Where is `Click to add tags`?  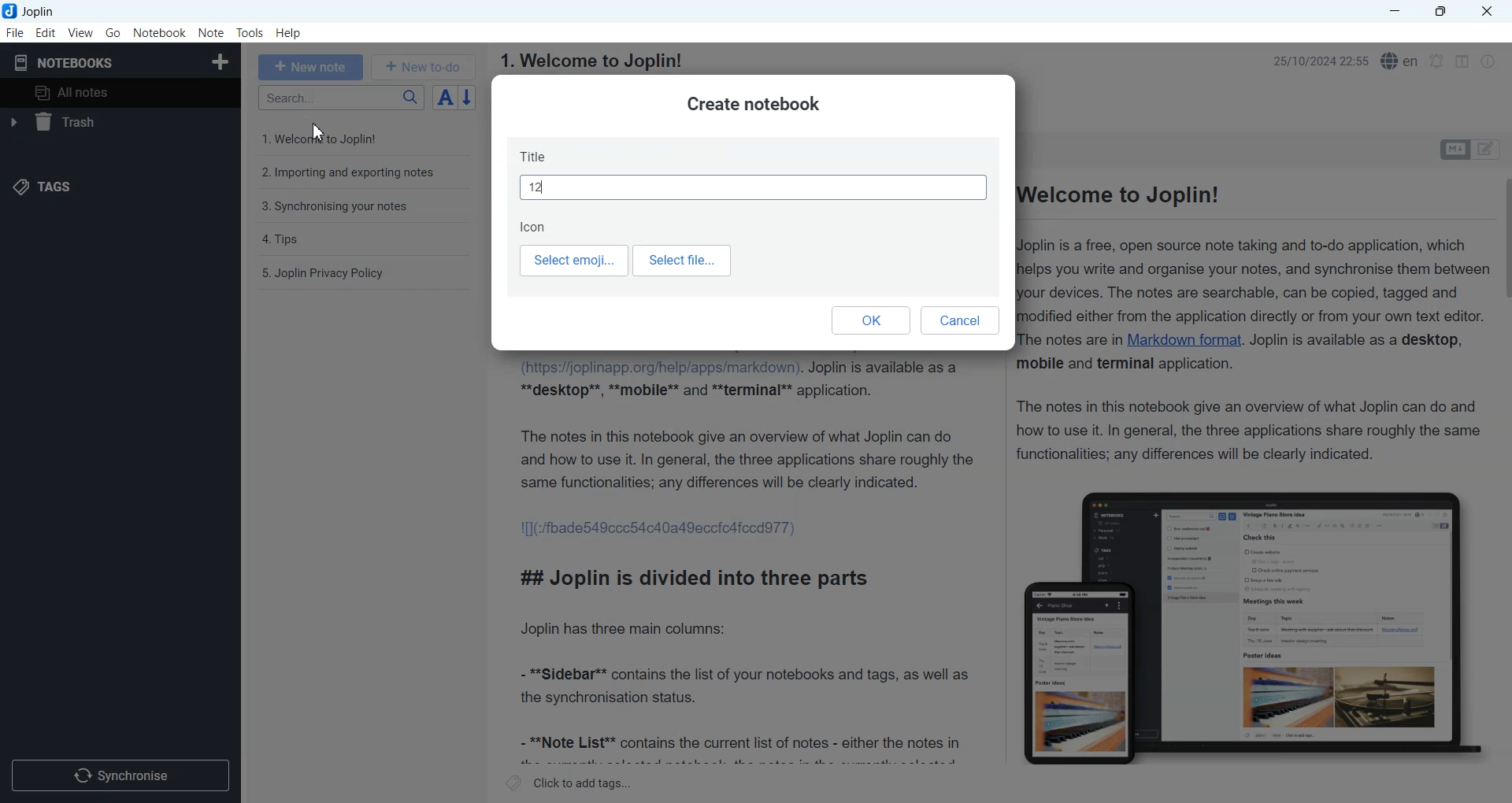 Click to add tags is located at coordinates (569, 783).